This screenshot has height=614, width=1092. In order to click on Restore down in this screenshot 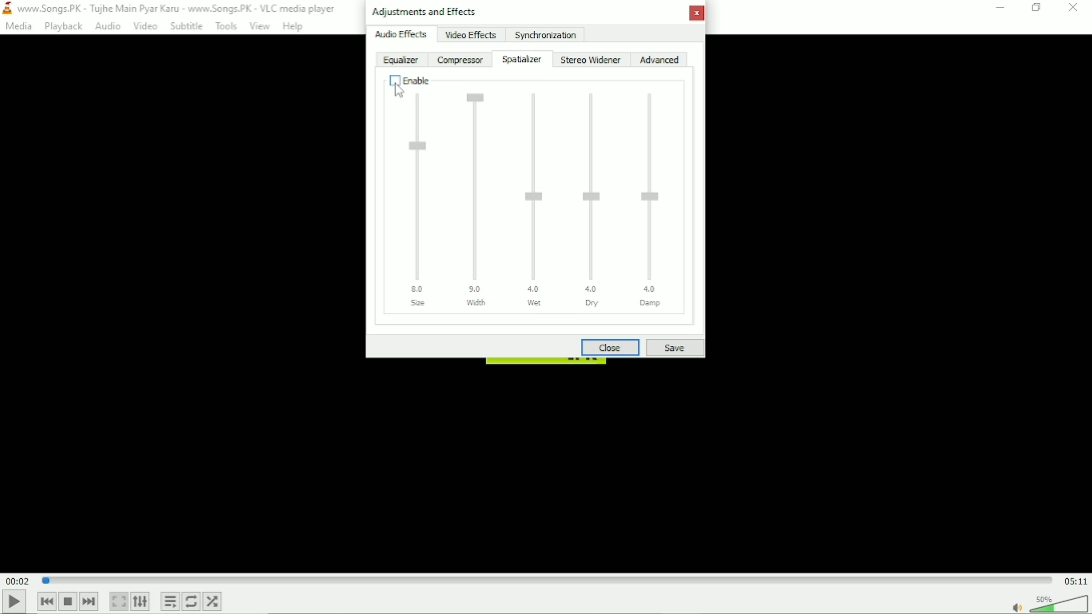, I will do `click(1036, 8)`.